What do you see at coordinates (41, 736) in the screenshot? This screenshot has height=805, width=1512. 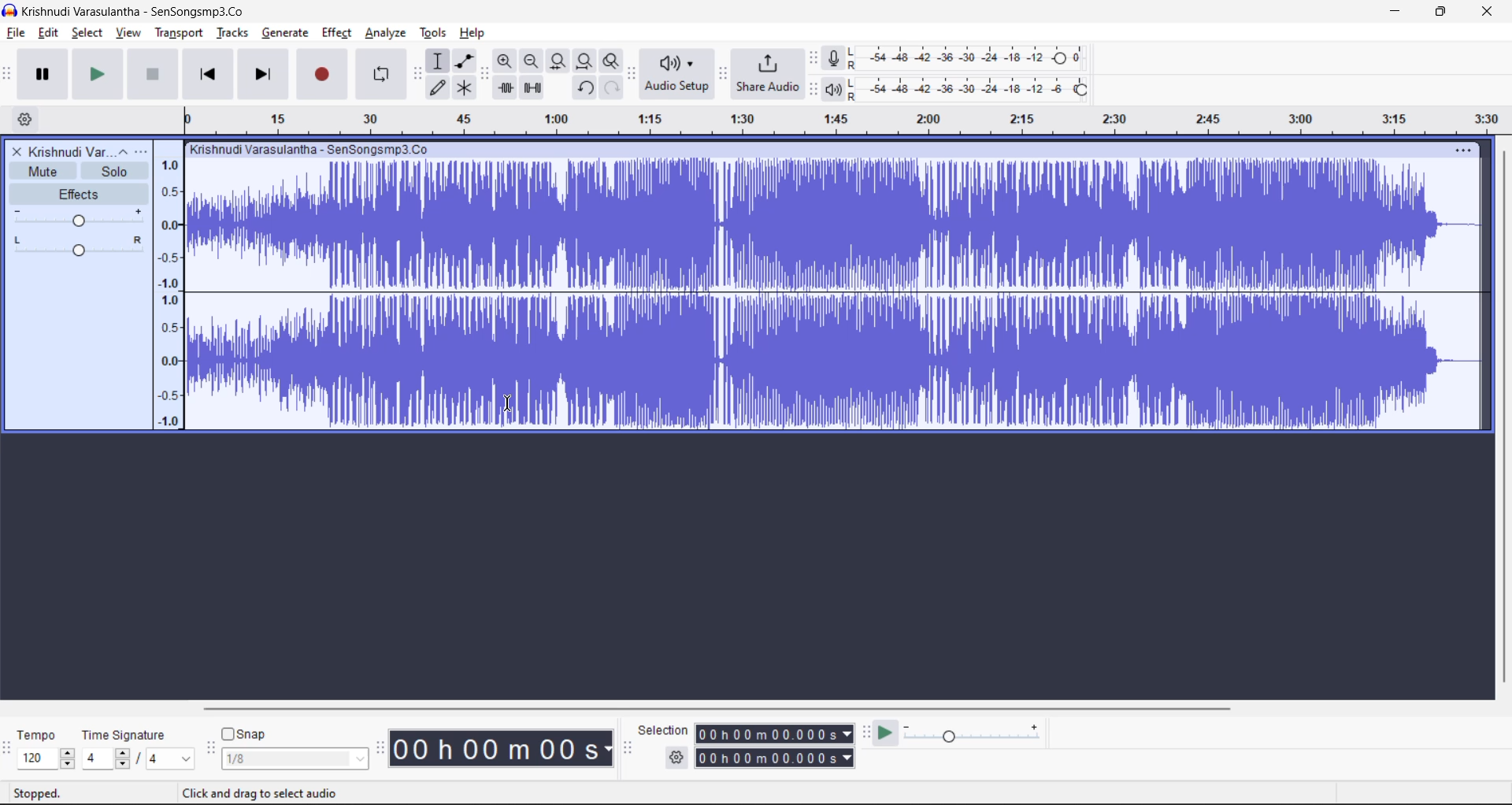 I see `tempo` at bounding box center [41, 736].